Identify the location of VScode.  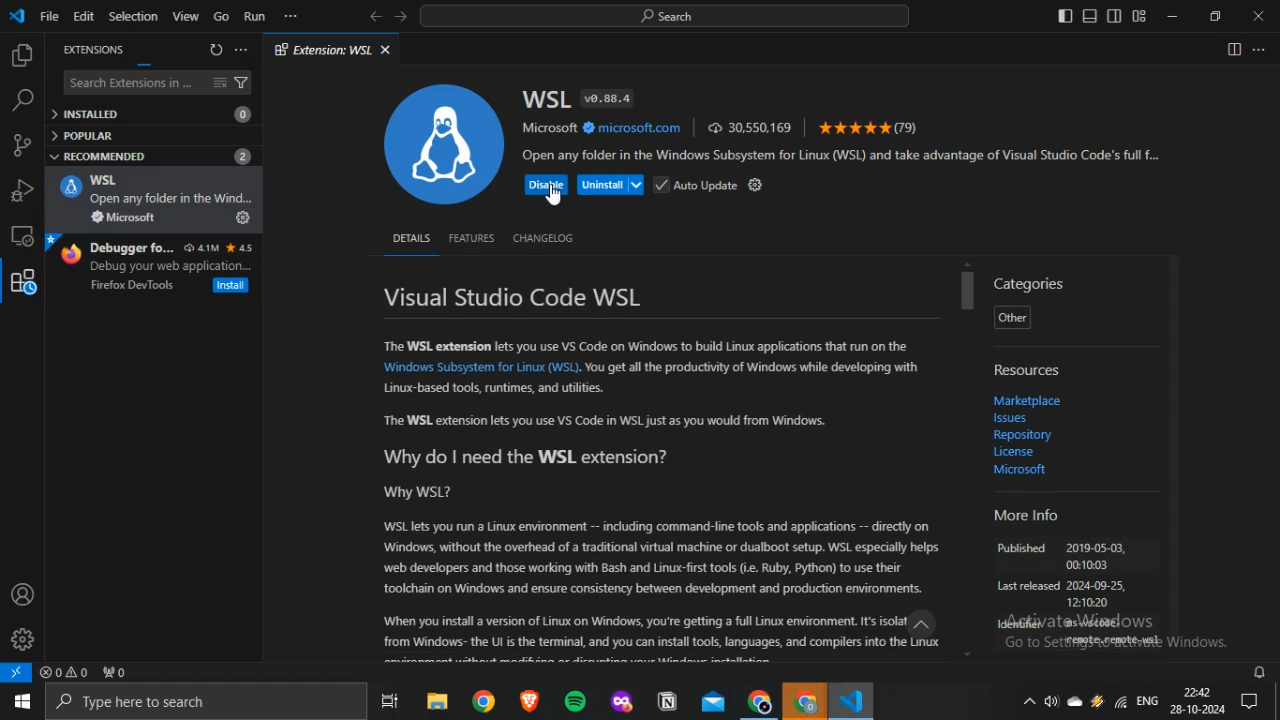
(850, 700).